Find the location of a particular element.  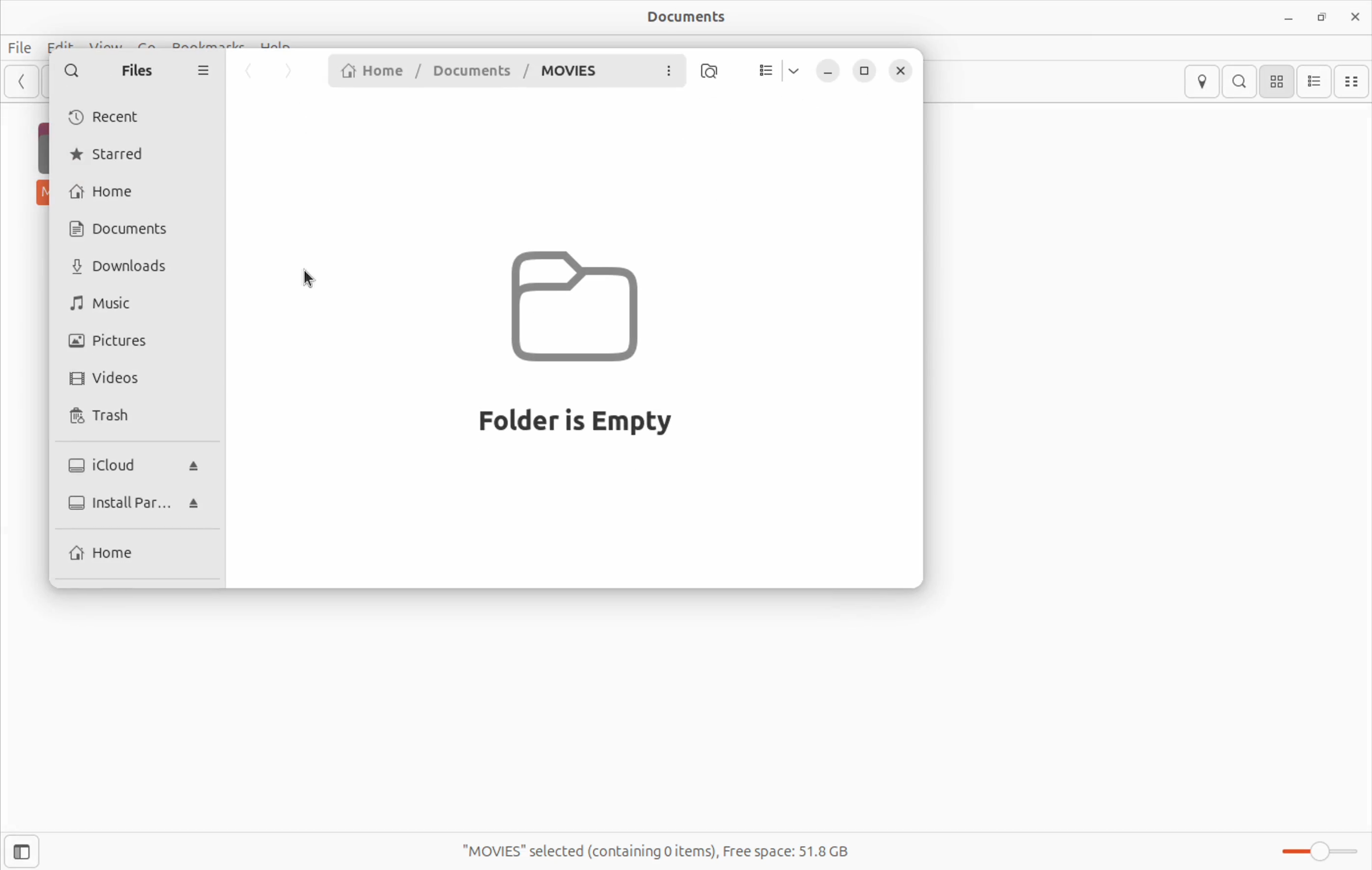

Previous is located at coordinates (248, 72).